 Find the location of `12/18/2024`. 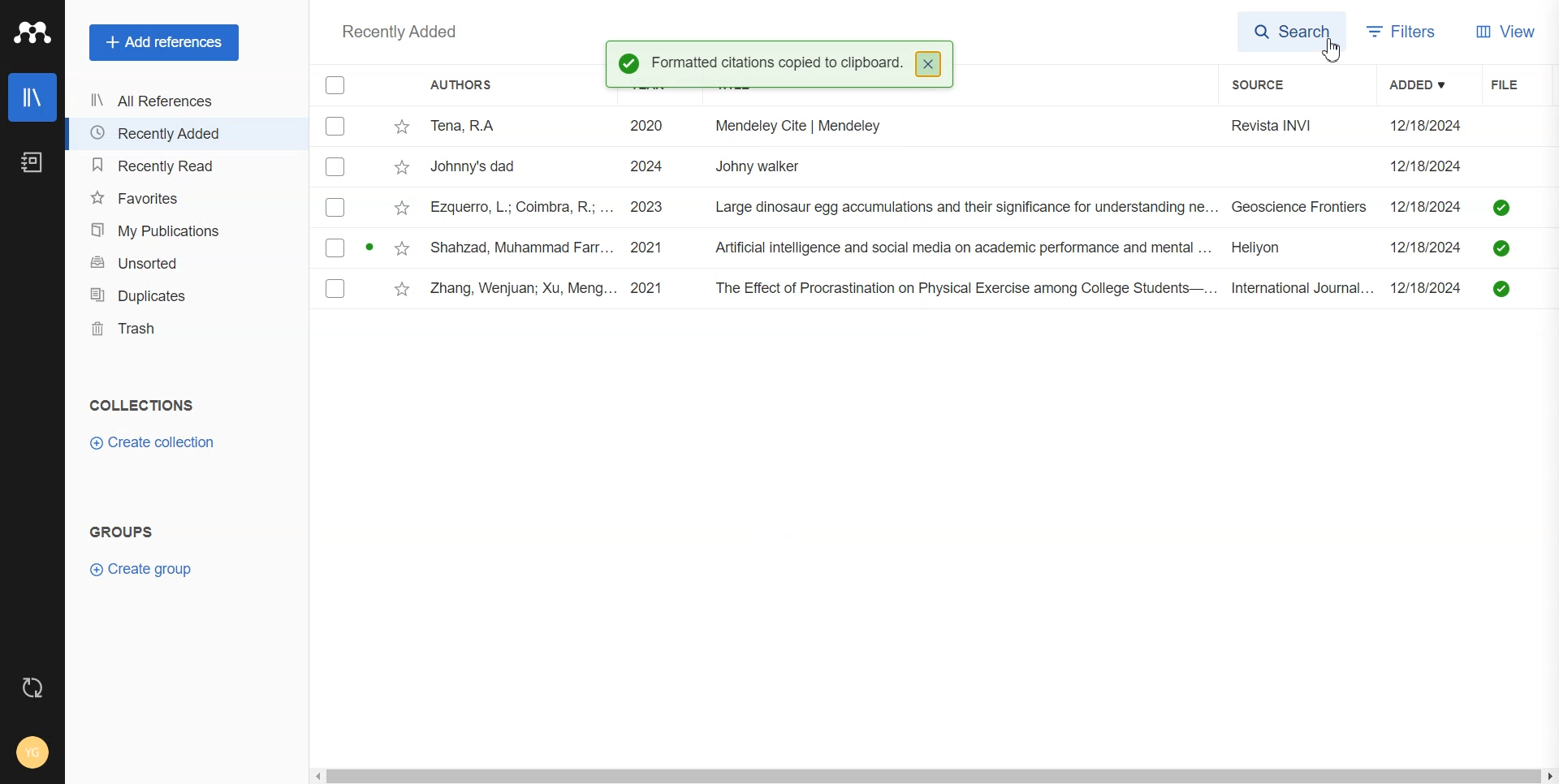

12/18/2024 is located at coordinates (1427, 166).